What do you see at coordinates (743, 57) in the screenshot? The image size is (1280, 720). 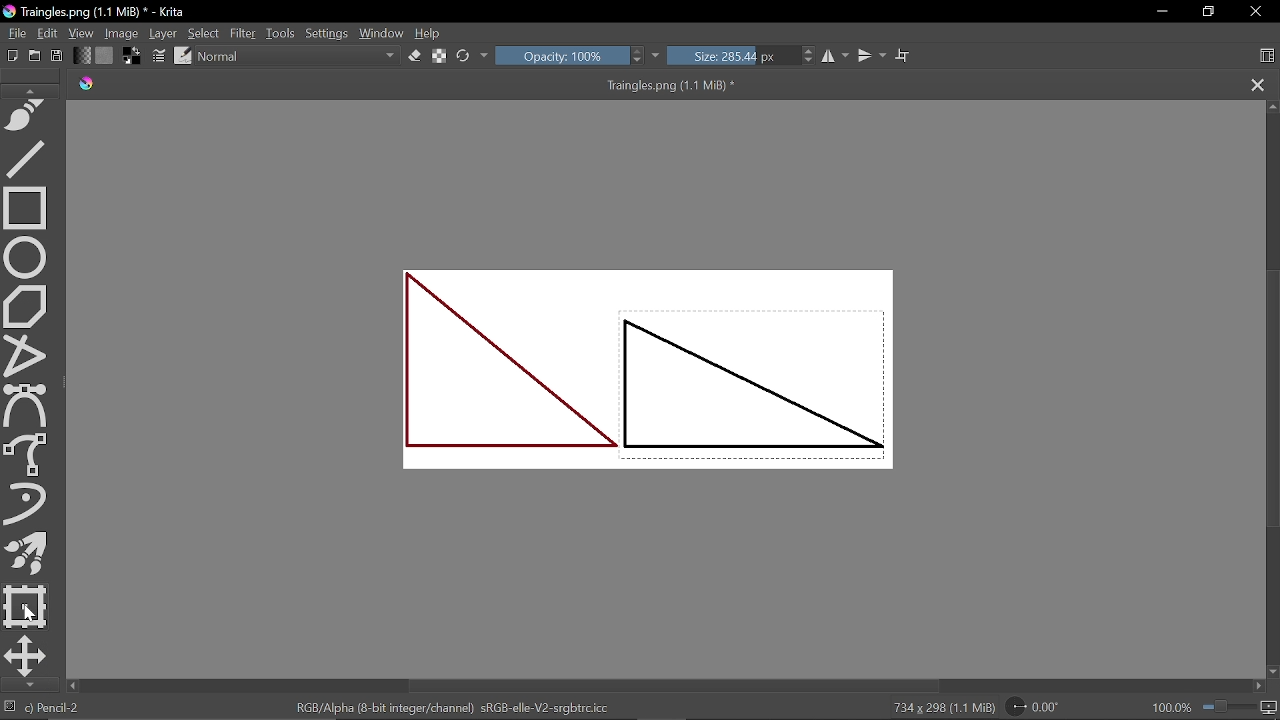 I see `Size: 285.44 px` at bounding box center [743, 57].